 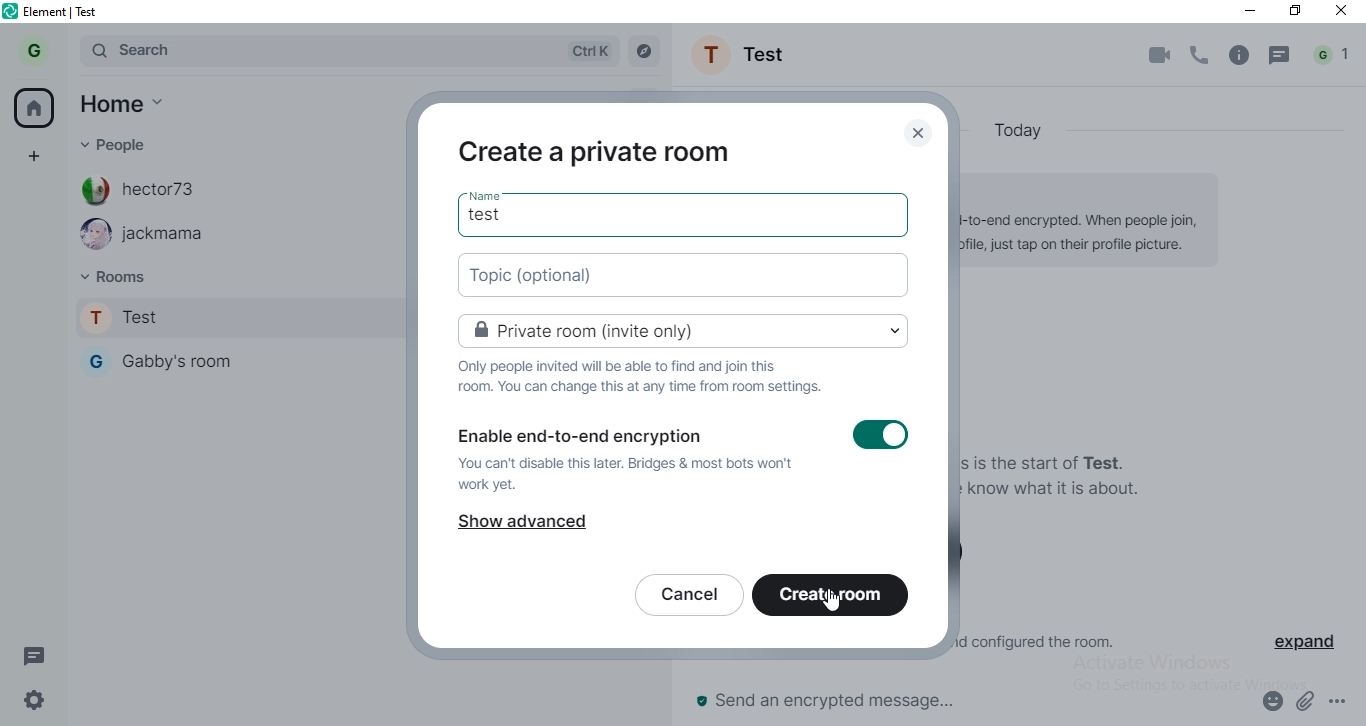 What do you see at coordinates (1239, 55) in the screenshot?
I see `info` at bounding box center [1239, 55].